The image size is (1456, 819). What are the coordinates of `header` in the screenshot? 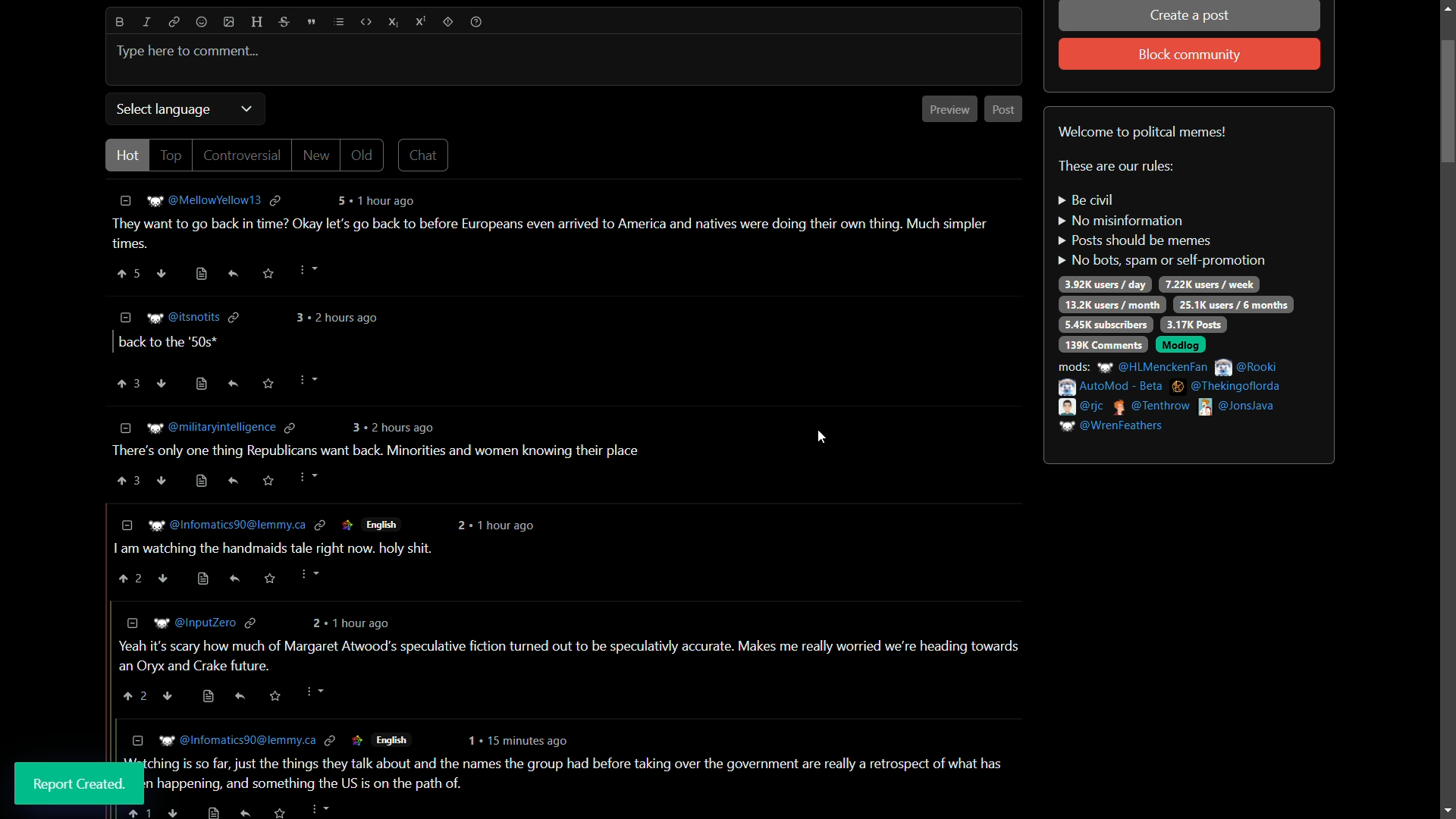 It's located at (256, 23).